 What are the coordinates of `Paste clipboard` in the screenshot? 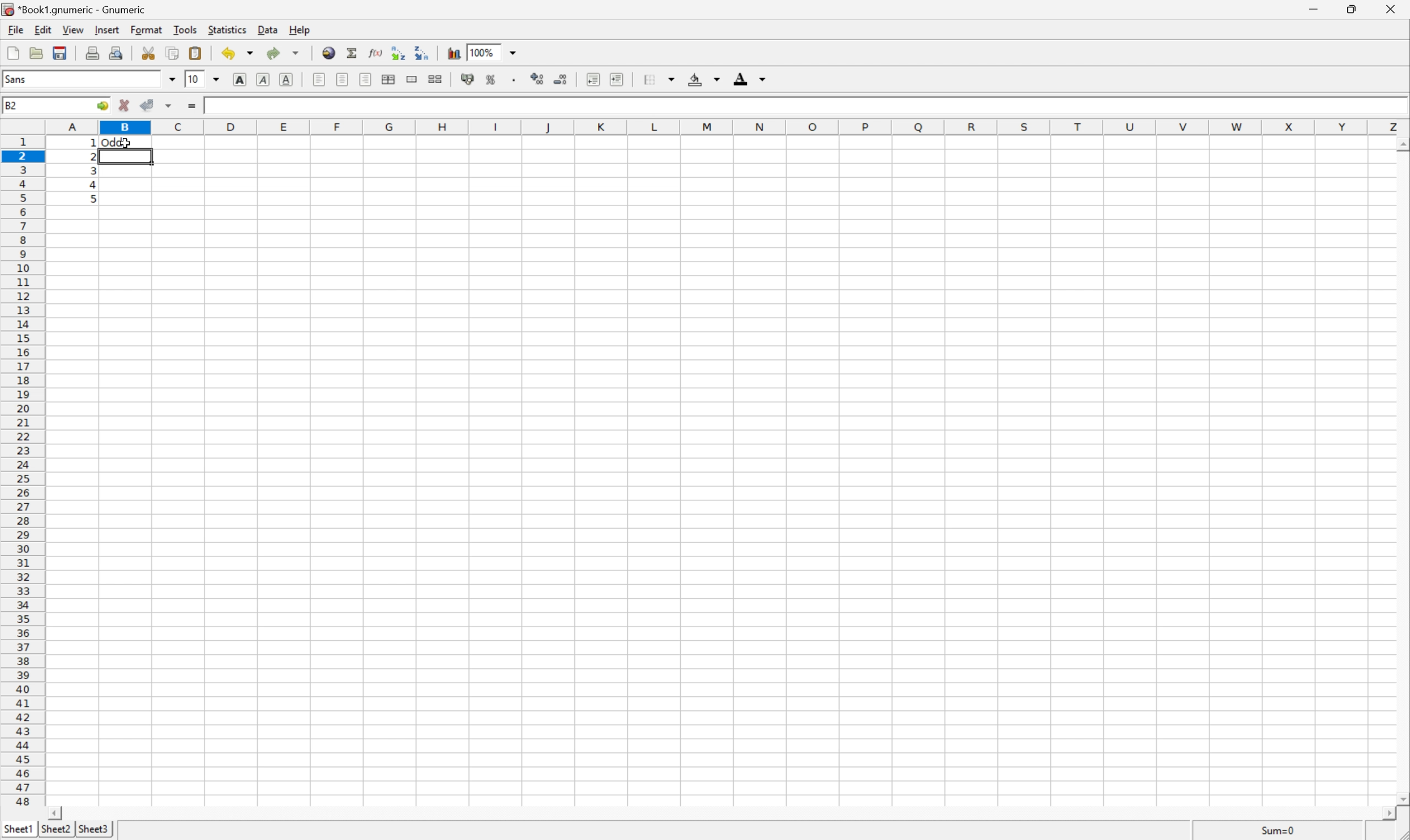 It's located at (195, 53).